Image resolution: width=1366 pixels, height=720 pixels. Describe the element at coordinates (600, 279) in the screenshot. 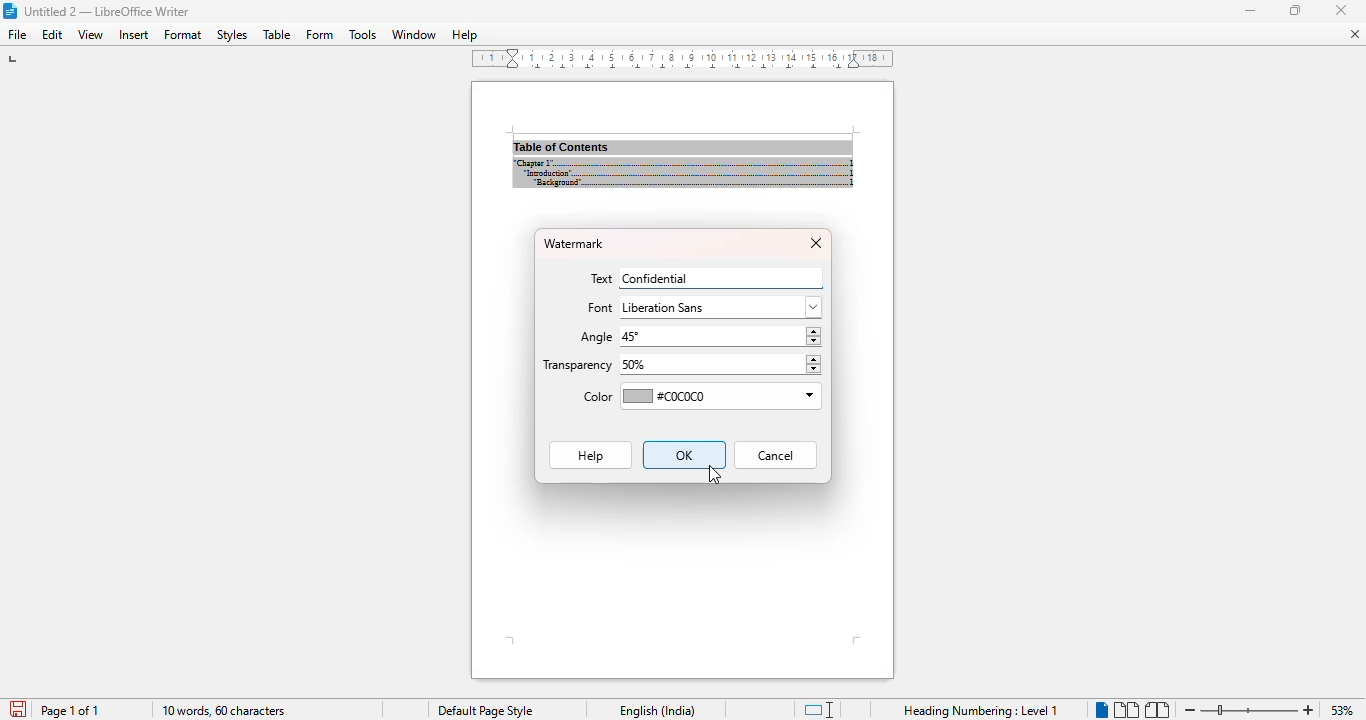

I see `text` at that location.